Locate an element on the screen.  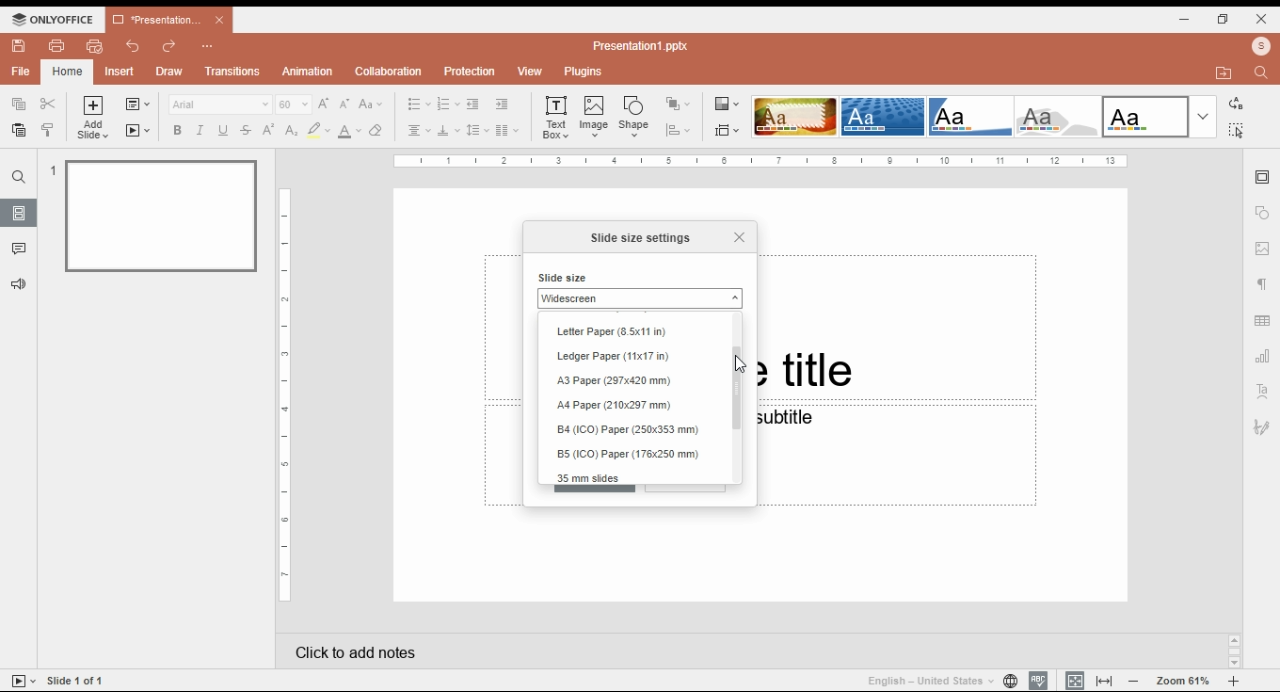
numbering is located at coordinates (448, 105).